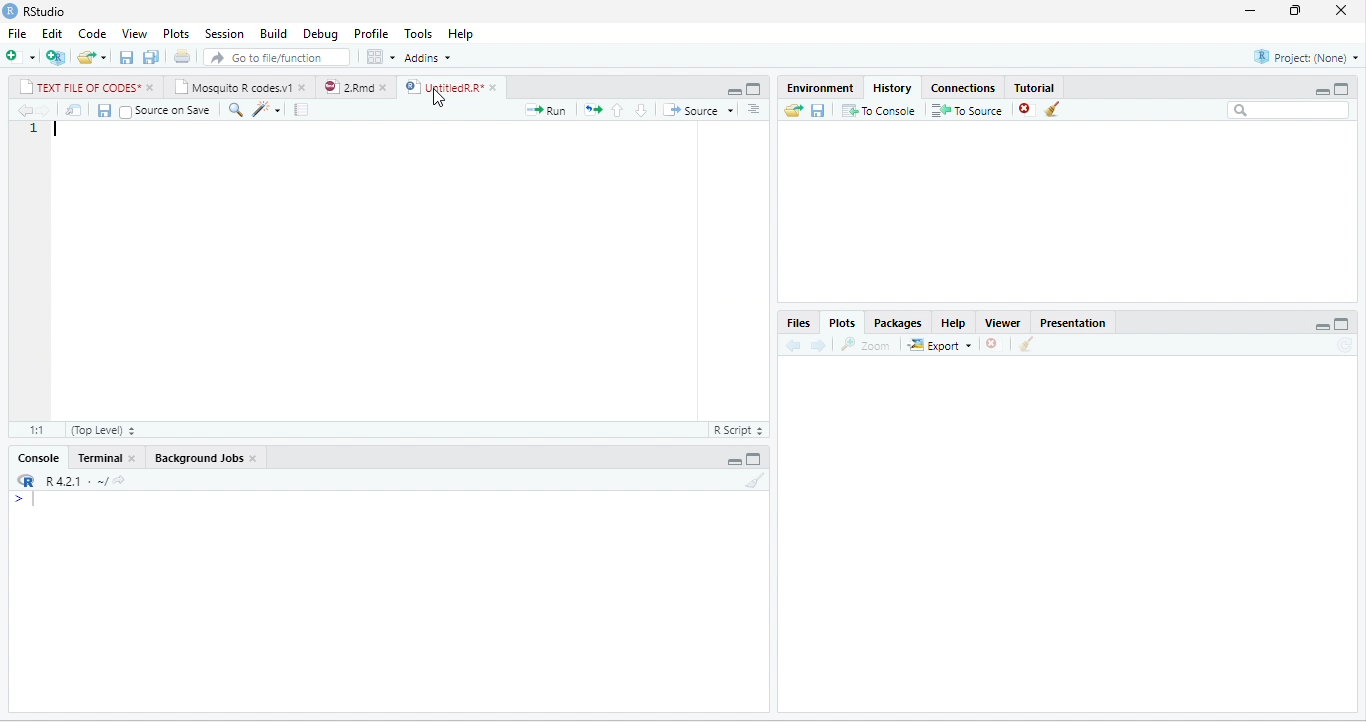 The width and height of the screenshot is (1366, 722). I want to click on Help, so click(460, 34).